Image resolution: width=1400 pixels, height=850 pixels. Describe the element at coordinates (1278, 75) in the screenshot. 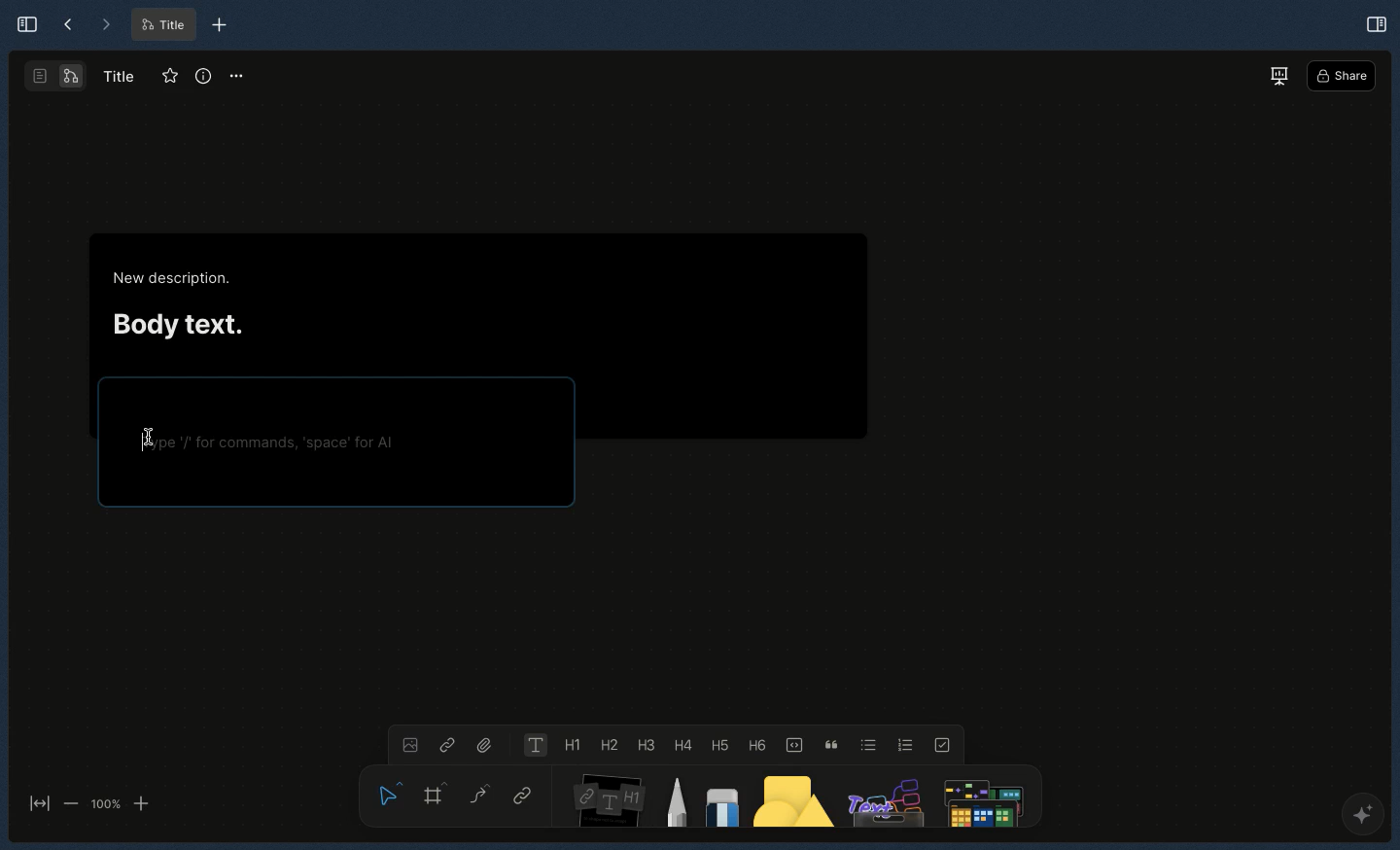

I see `Present` at that location.